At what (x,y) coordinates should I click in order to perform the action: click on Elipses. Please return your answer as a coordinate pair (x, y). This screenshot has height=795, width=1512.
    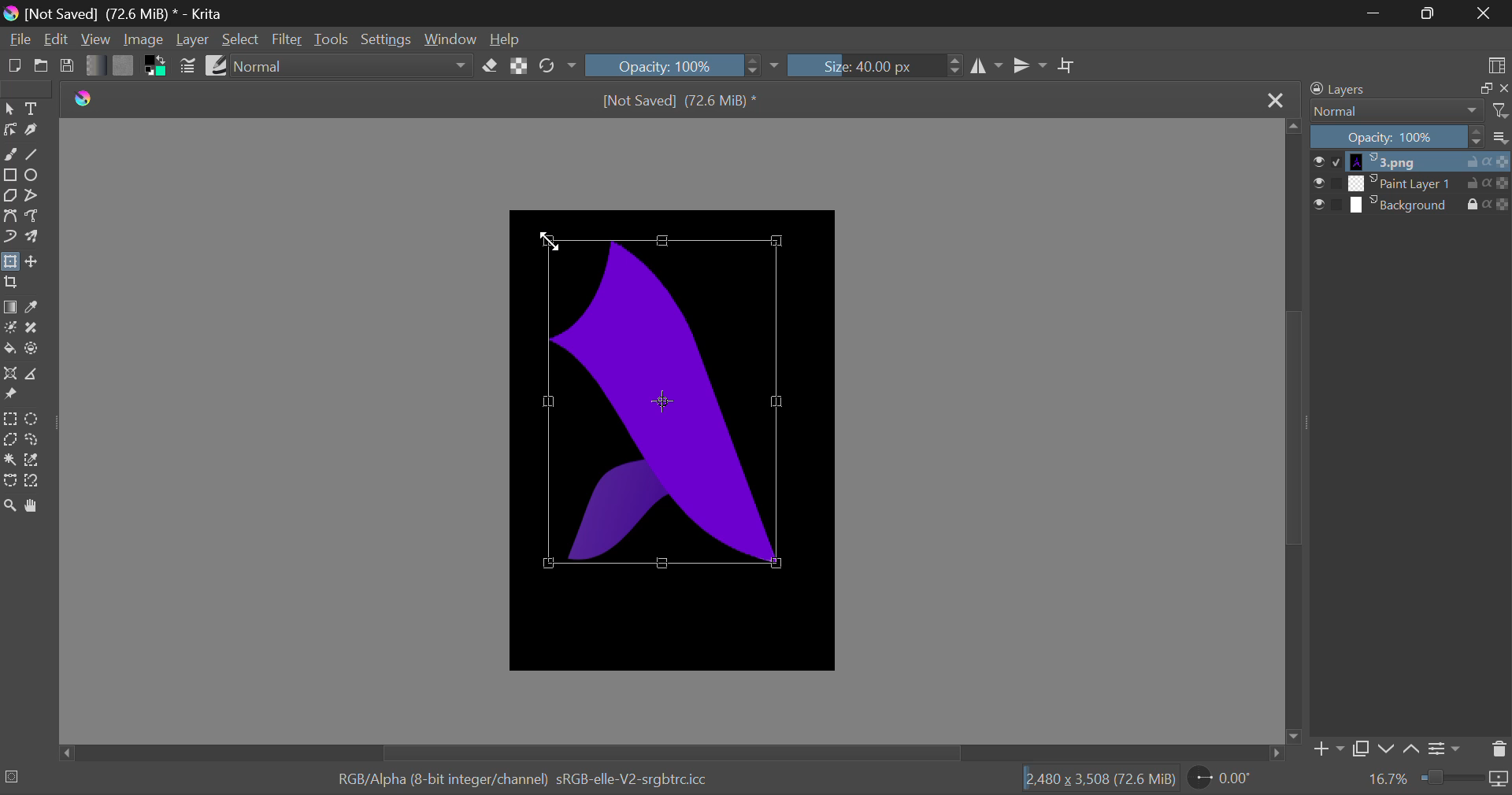
    Looking at the image, I should click on (37, 176).